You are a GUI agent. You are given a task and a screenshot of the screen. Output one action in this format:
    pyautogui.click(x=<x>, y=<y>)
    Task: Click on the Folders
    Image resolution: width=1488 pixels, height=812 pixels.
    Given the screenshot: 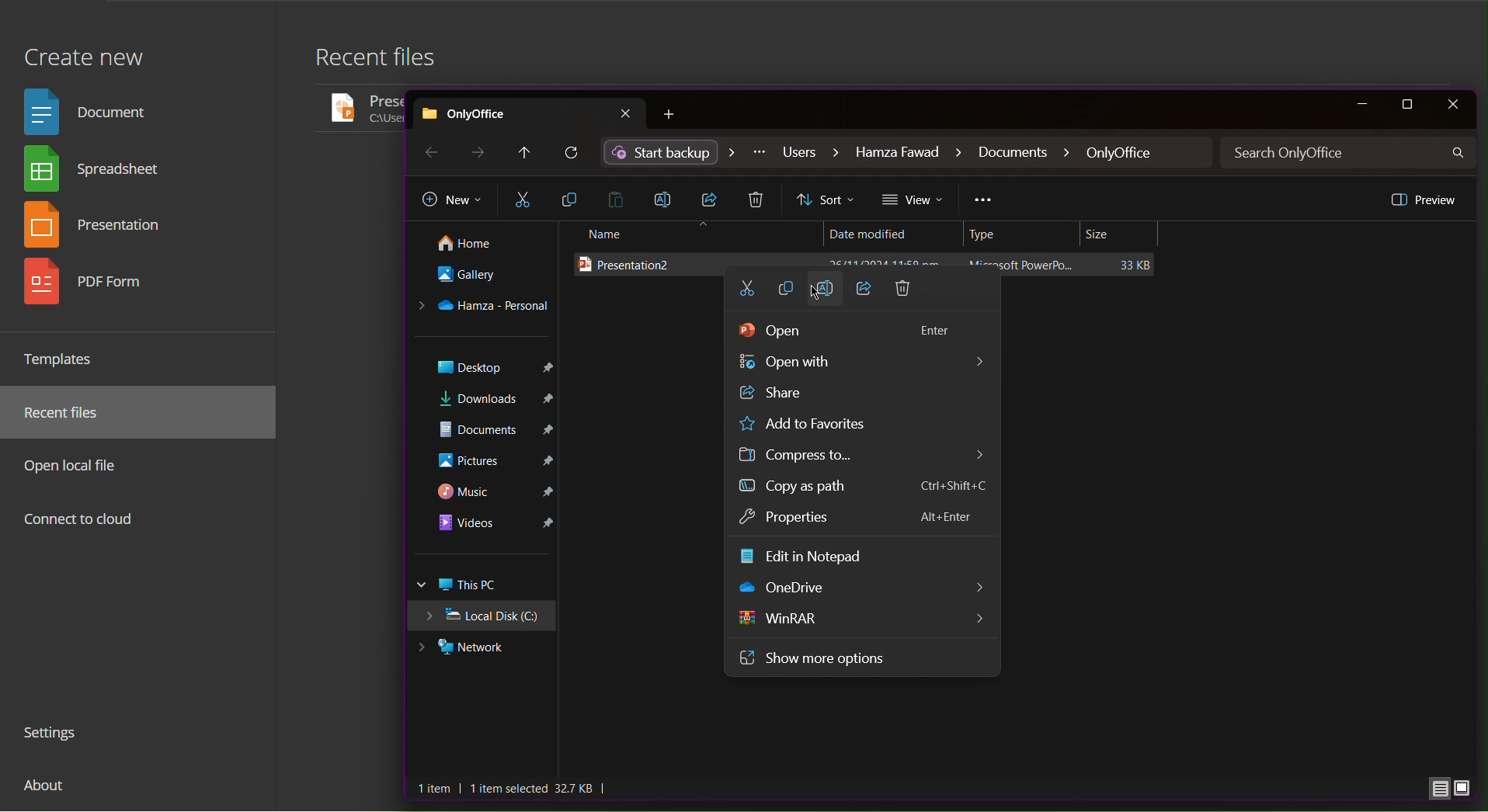 What is the action you would take?
    pyautogui.click(x=485, y=453)
    